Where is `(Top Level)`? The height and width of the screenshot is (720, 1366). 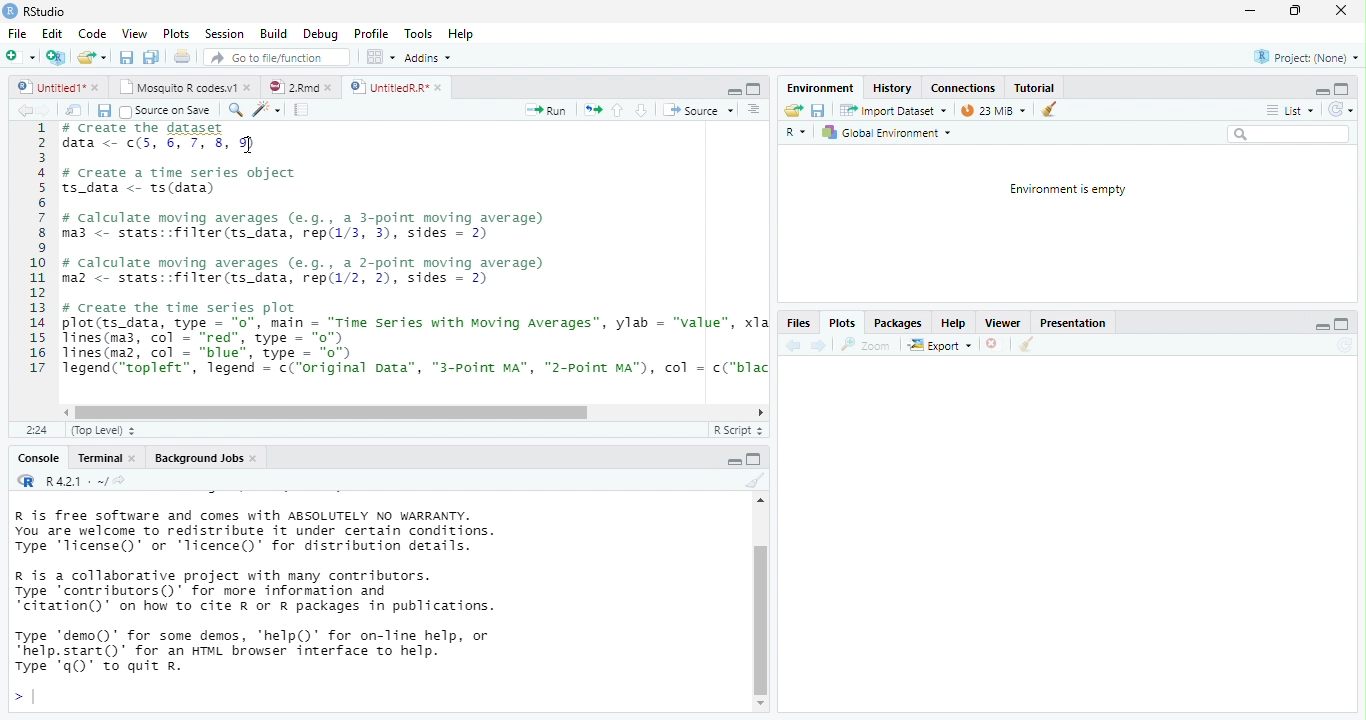
(Top Level) is located at coordinates (98, 431).